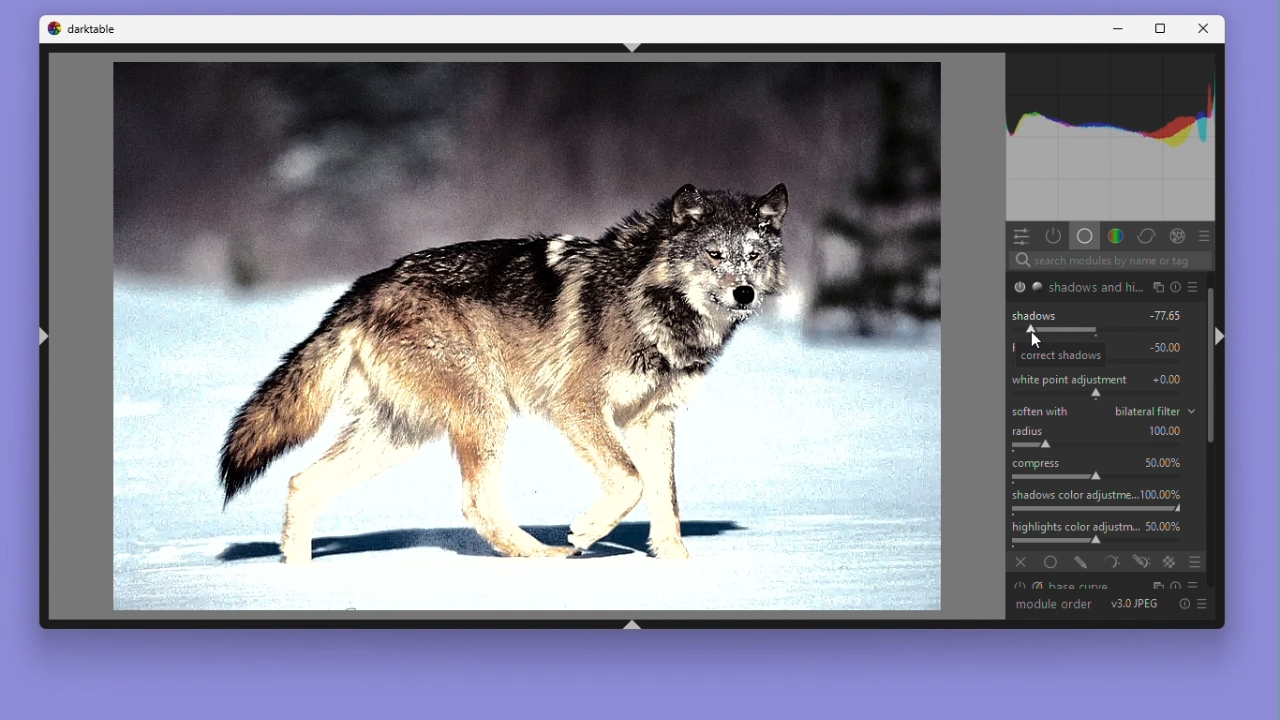 The image size is (1280, 720). Describe the element at coordinates (1202, 30) in the screenshot. I see `Close` at that location.